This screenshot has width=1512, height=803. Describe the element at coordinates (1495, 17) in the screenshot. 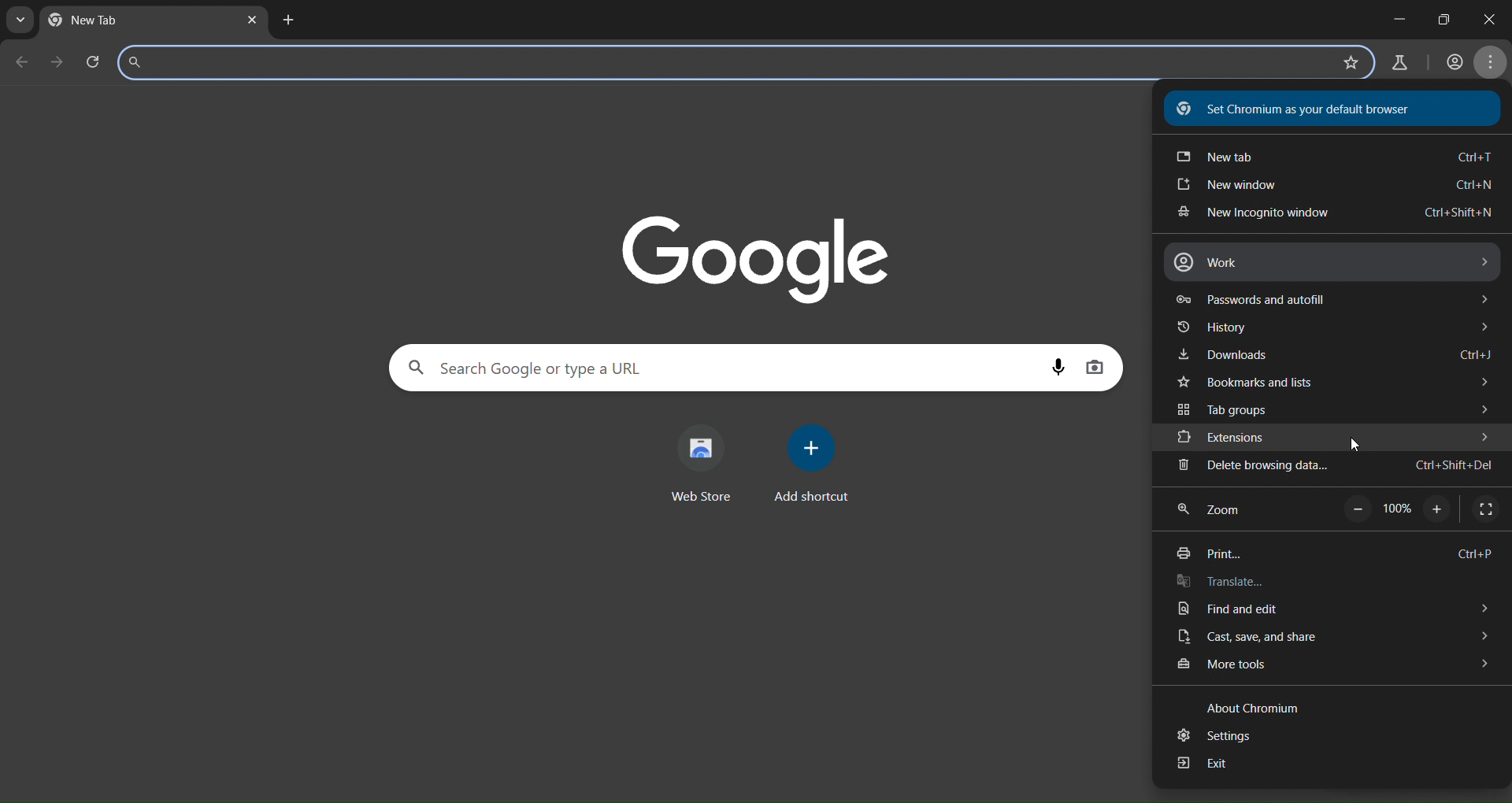

I see `maximize` at that location.